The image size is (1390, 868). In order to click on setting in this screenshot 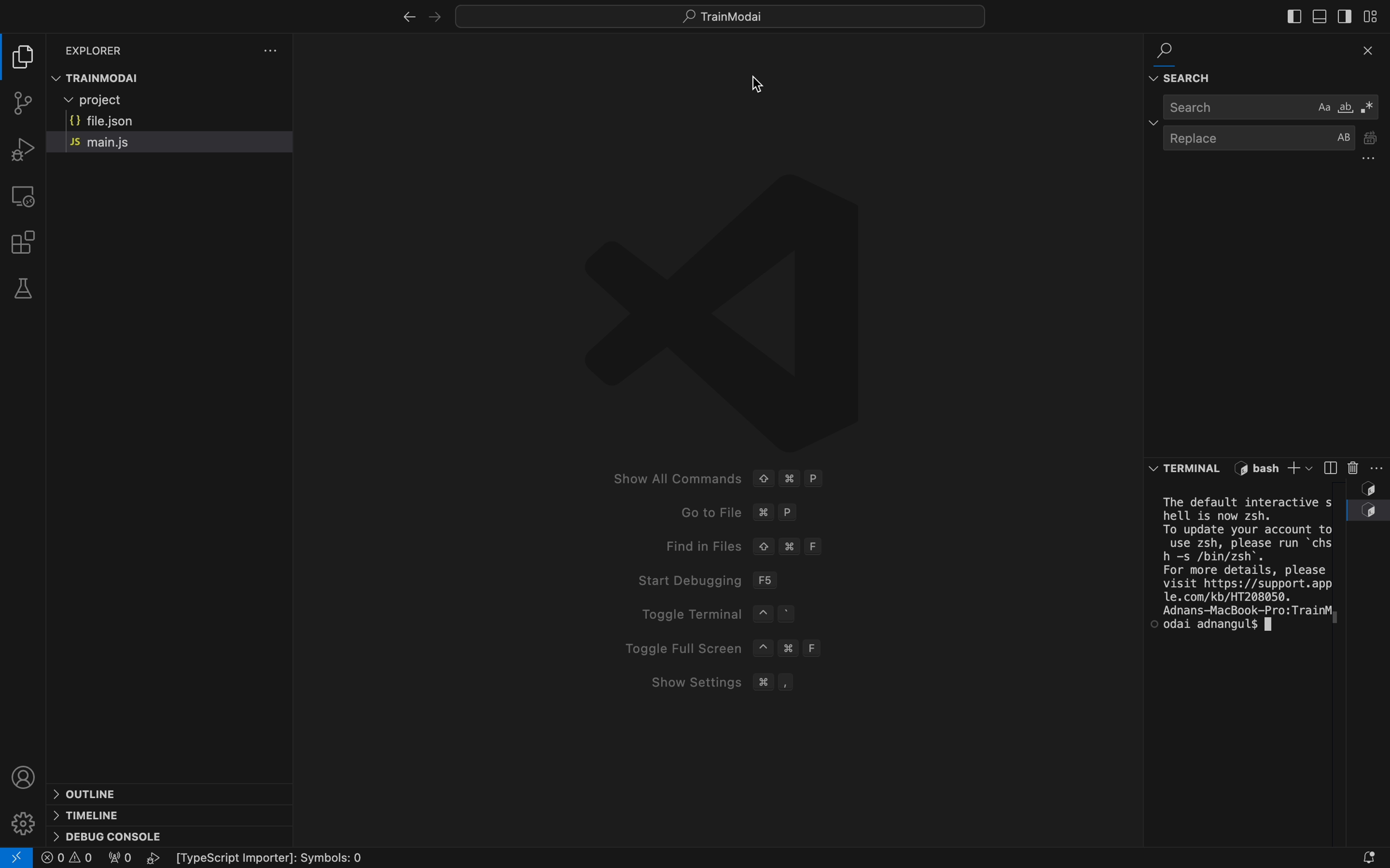, I will do `click(23, 817)`.